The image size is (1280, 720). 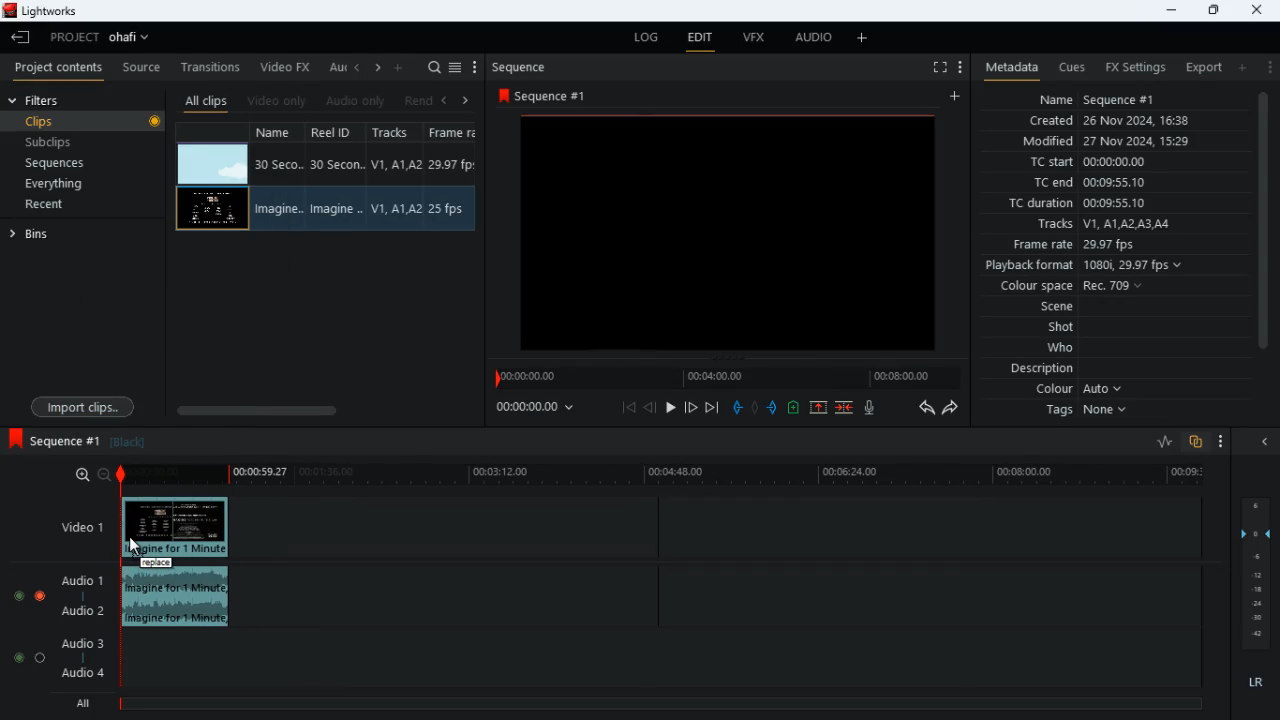 I want to click on everything, so click(x=51, y=185).